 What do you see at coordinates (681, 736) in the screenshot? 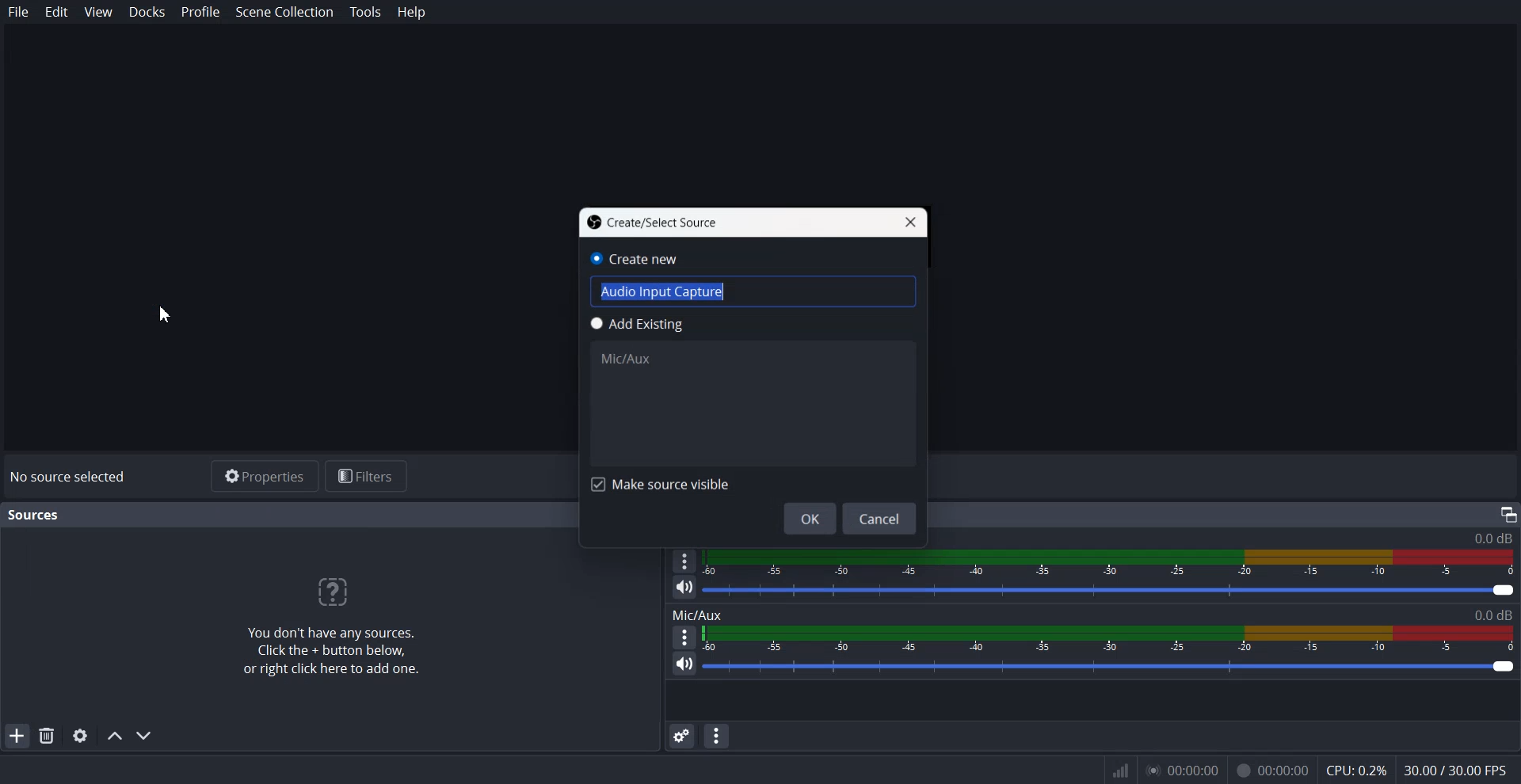
I see `Advance audio properties` at bounding box center [681, 736].